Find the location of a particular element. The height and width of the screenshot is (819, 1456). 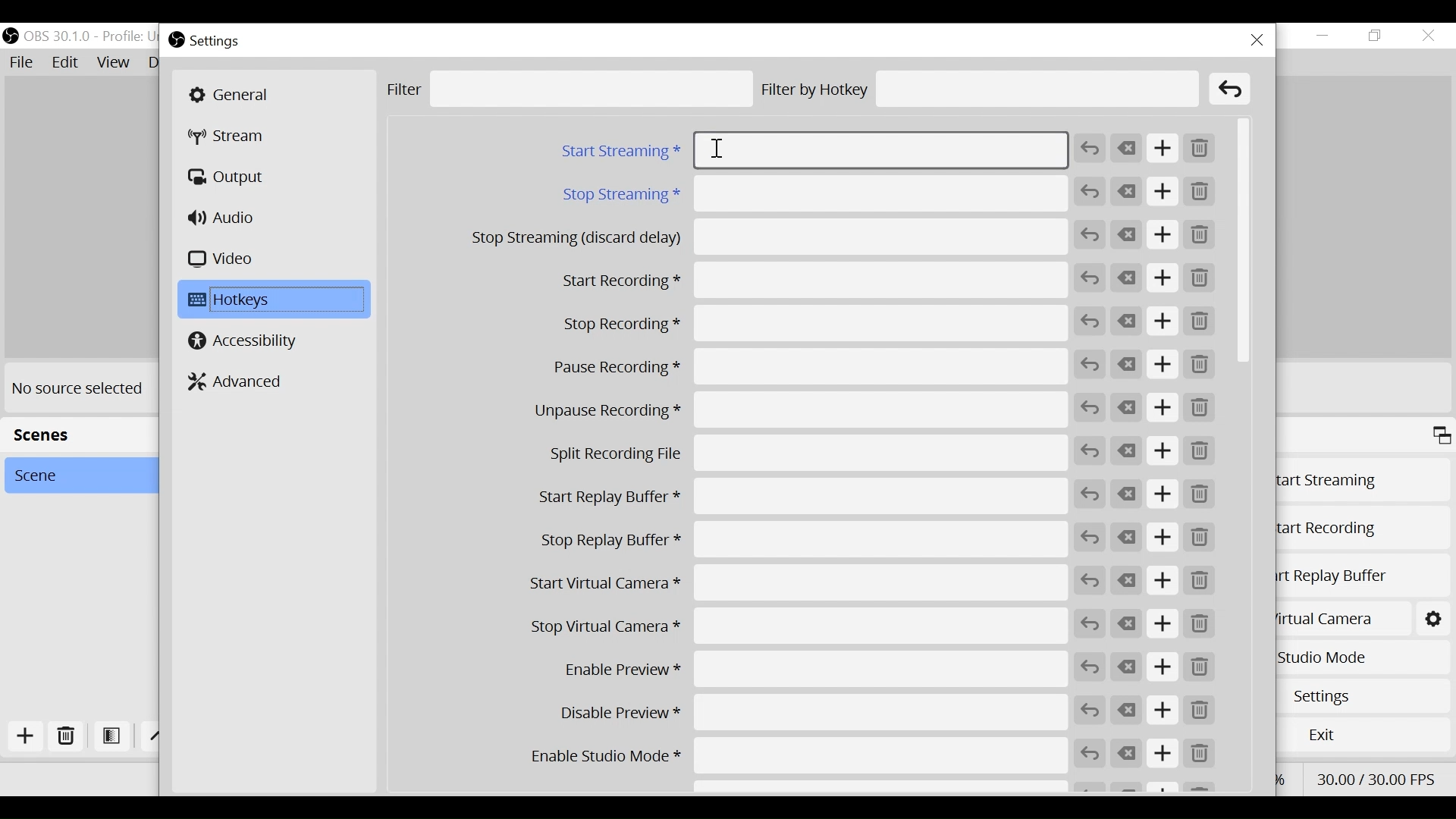

General is located at coordinates (274, 94).